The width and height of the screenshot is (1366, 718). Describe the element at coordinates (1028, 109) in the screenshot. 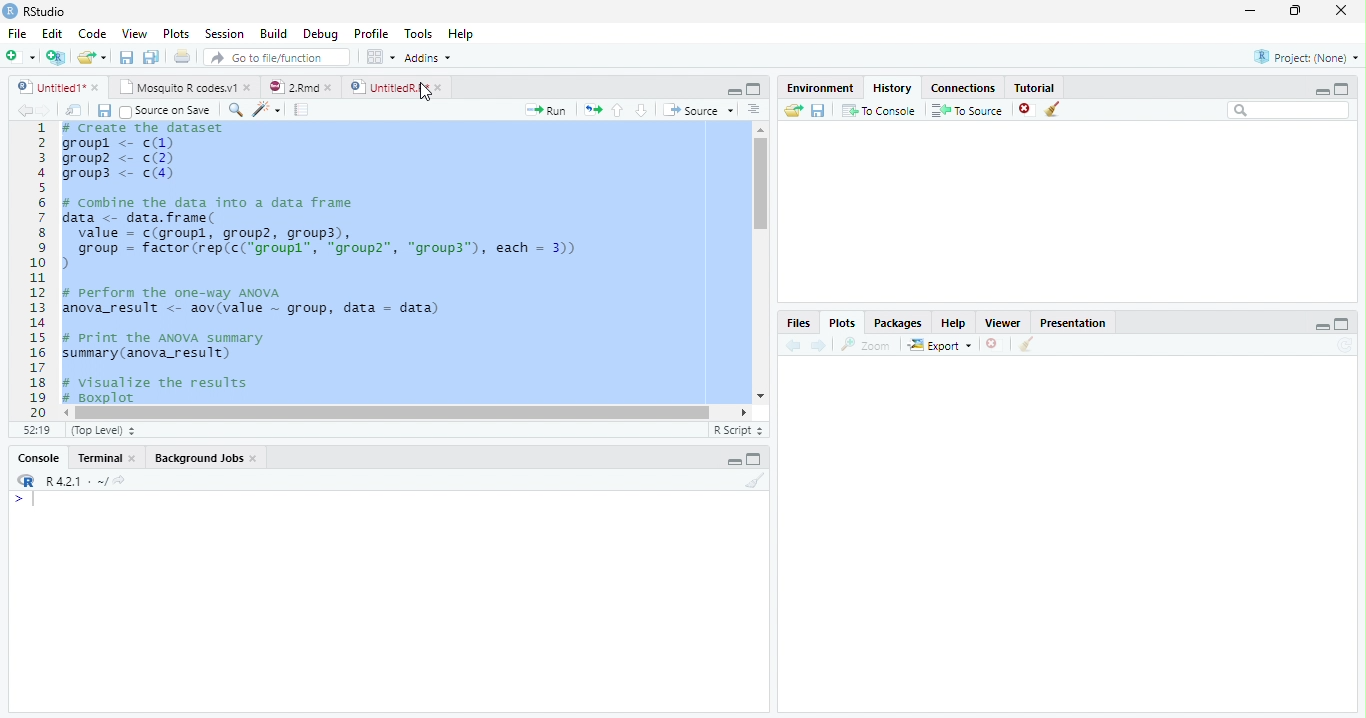

I see `Delete file` at that location.